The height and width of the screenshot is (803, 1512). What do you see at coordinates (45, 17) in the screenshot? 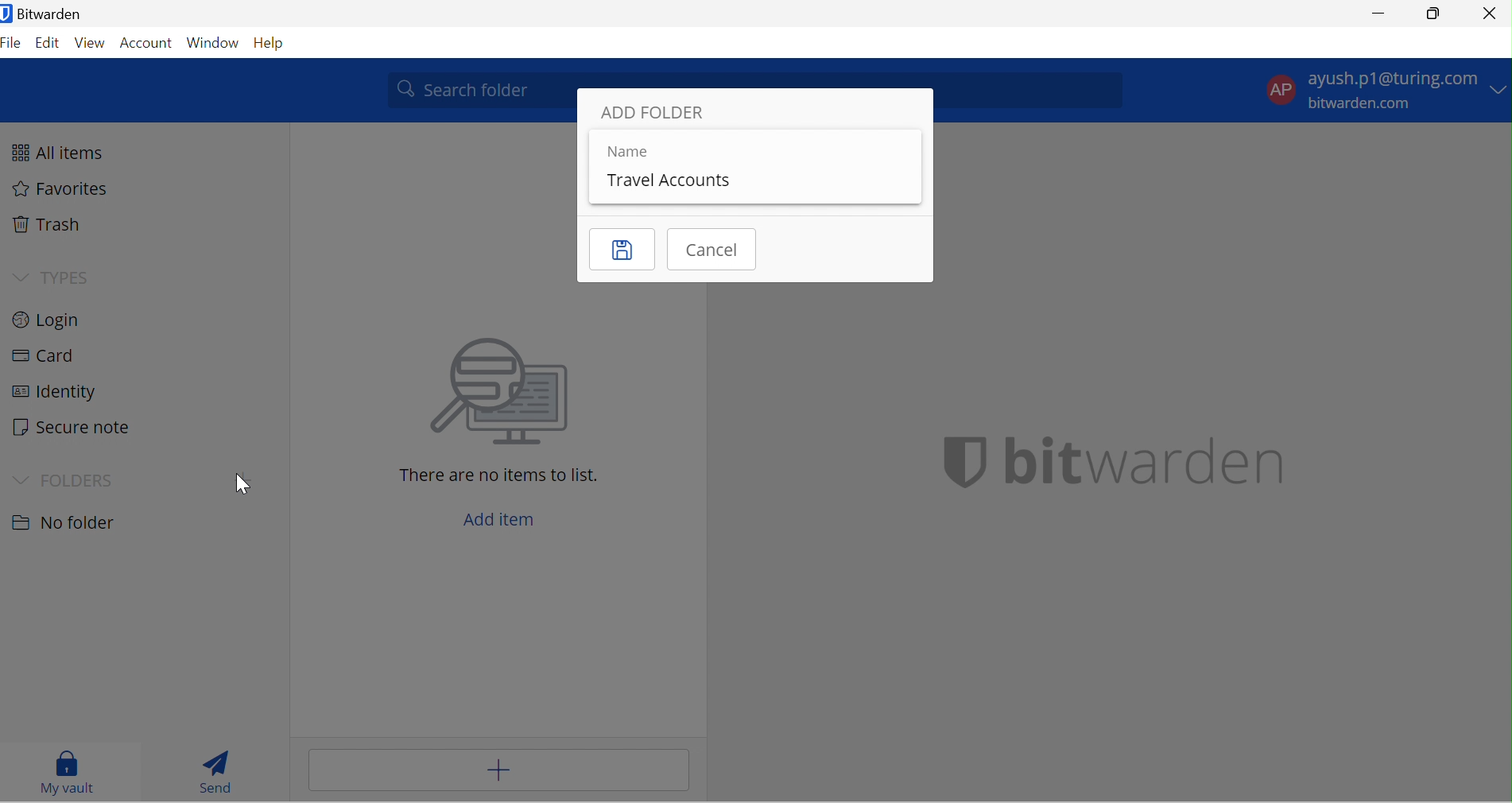
I see `Bitwarden` at bounding box center [45, 17].